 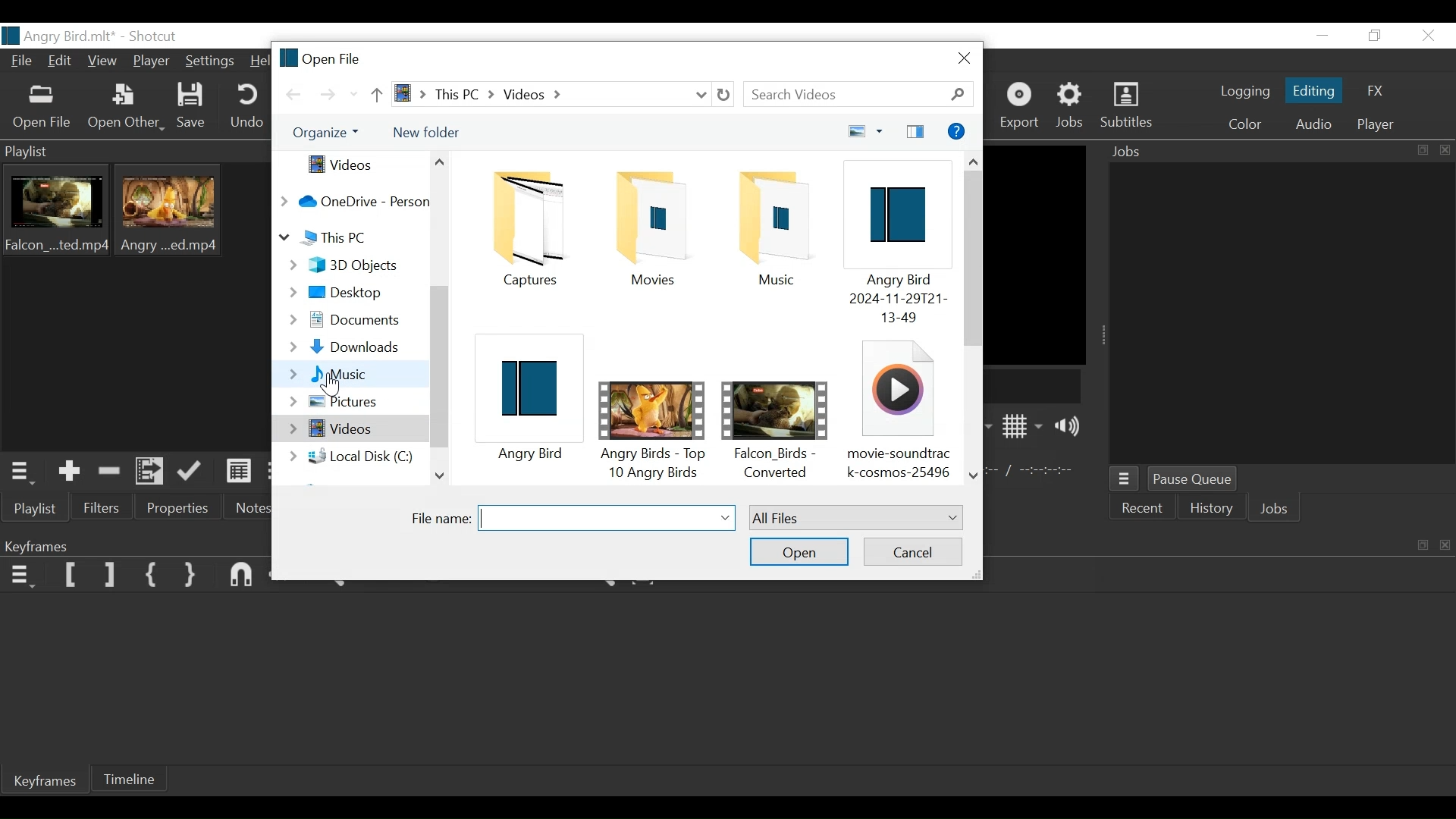 I want to click on Properties, so click(x=172, y=508).